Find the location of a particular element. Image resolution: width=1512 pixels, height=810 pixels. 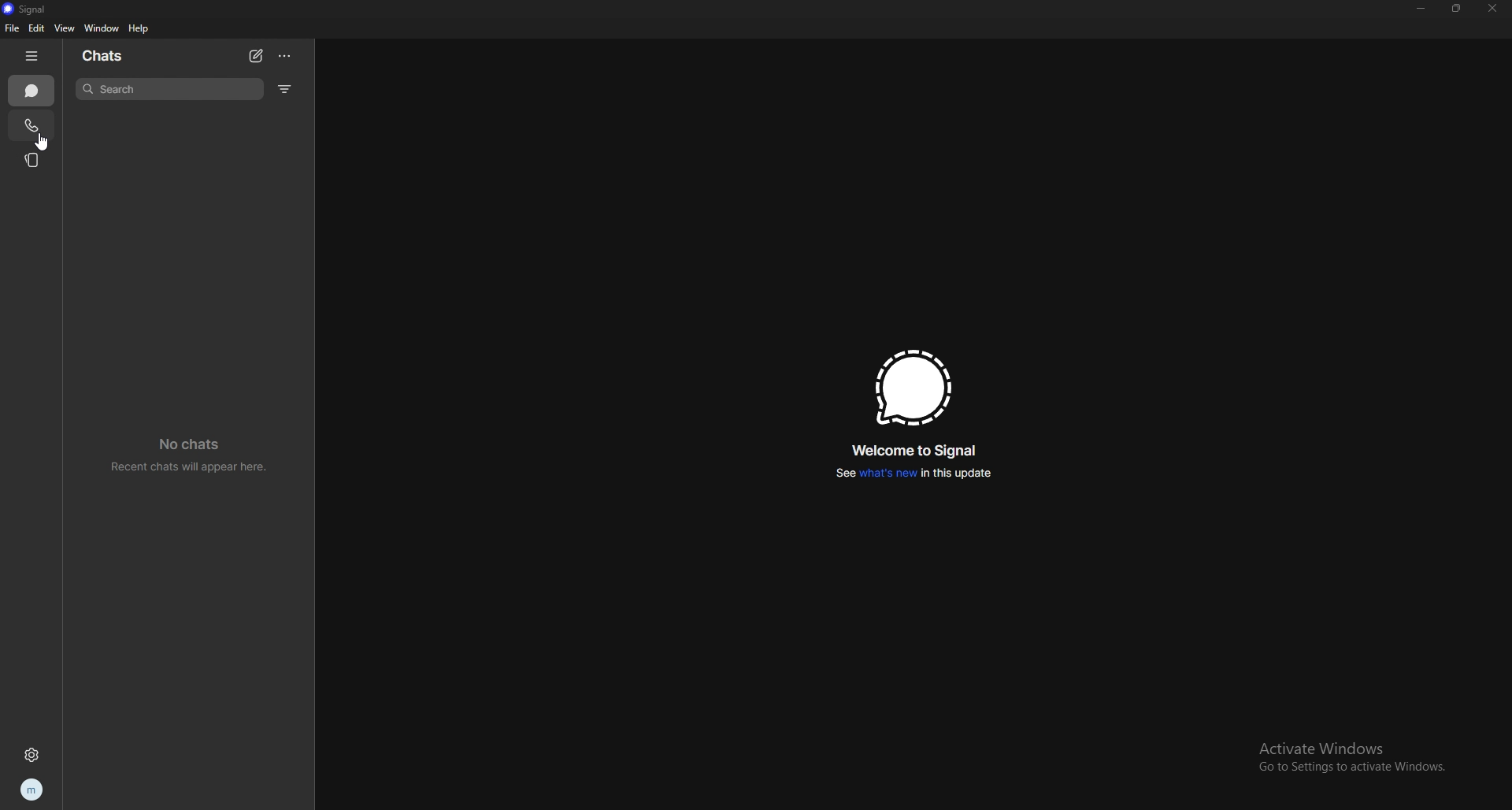

resize is located at coordinates (1456, 9).